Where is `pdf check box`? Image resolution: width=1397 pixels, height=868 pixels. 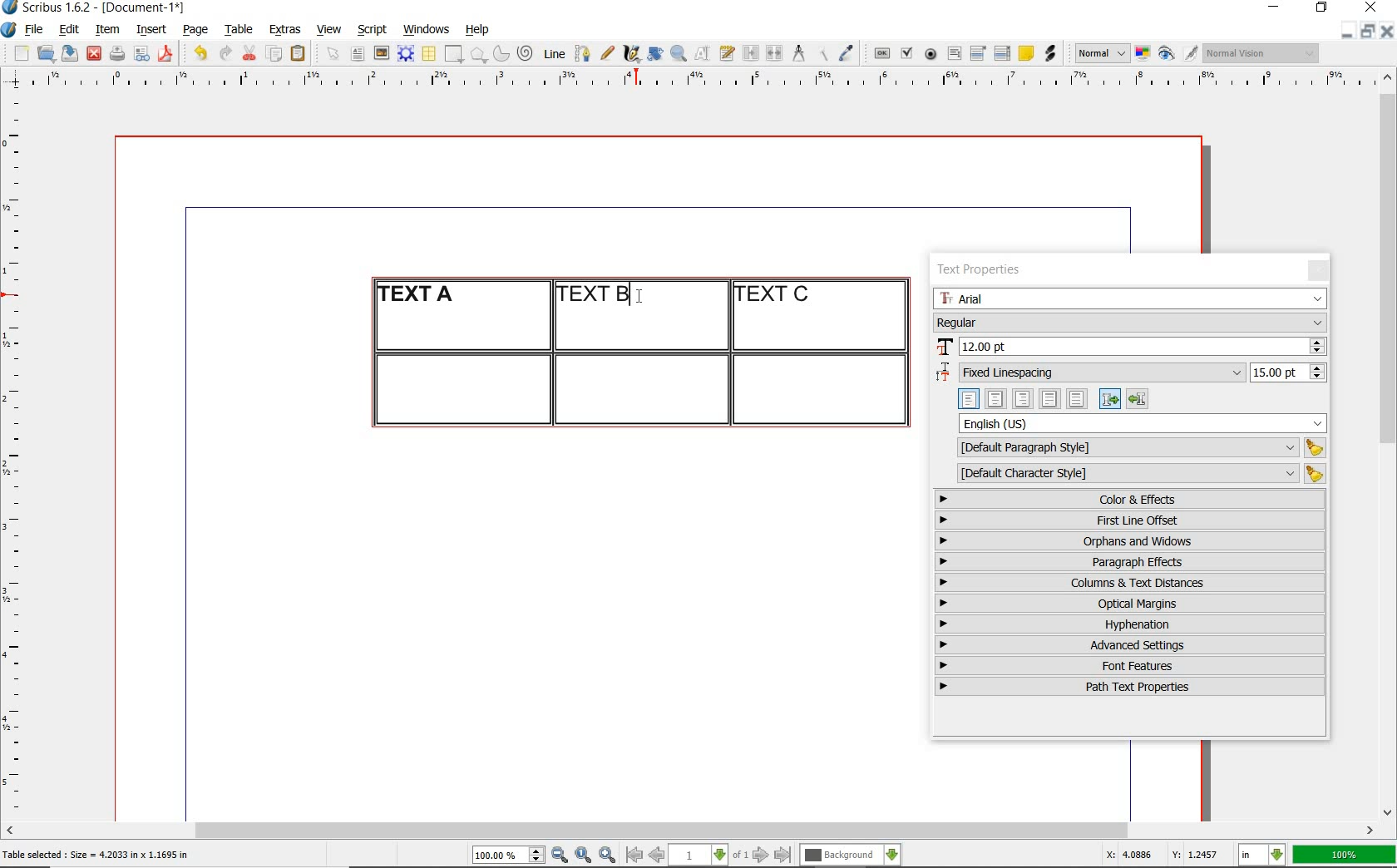
pdf check box is located at coordinates (906, 54).